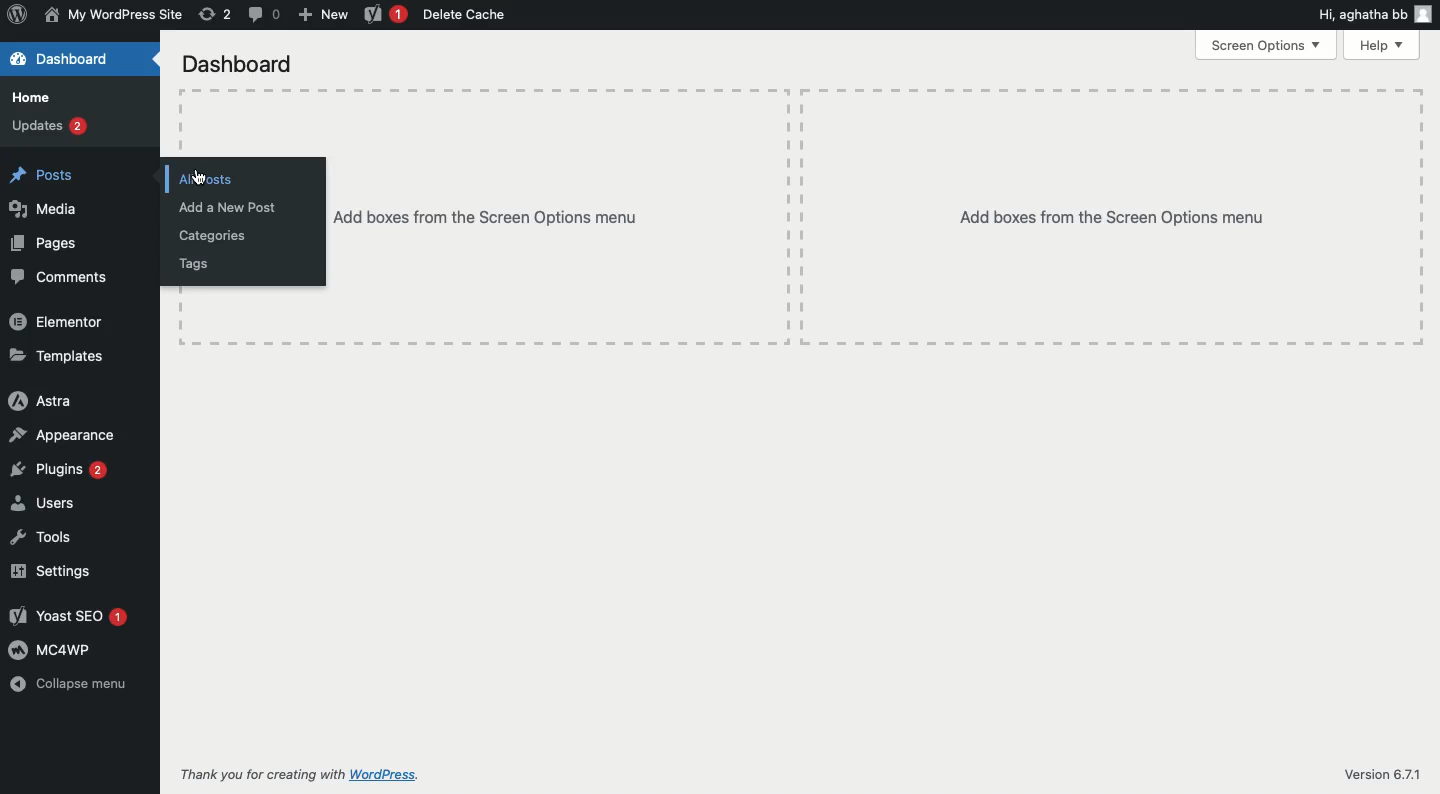  What do you see at coordinates (876, 217) in the screenshot?
I see `Add boxes from the screen options menu` at bounding box center [876, 217].